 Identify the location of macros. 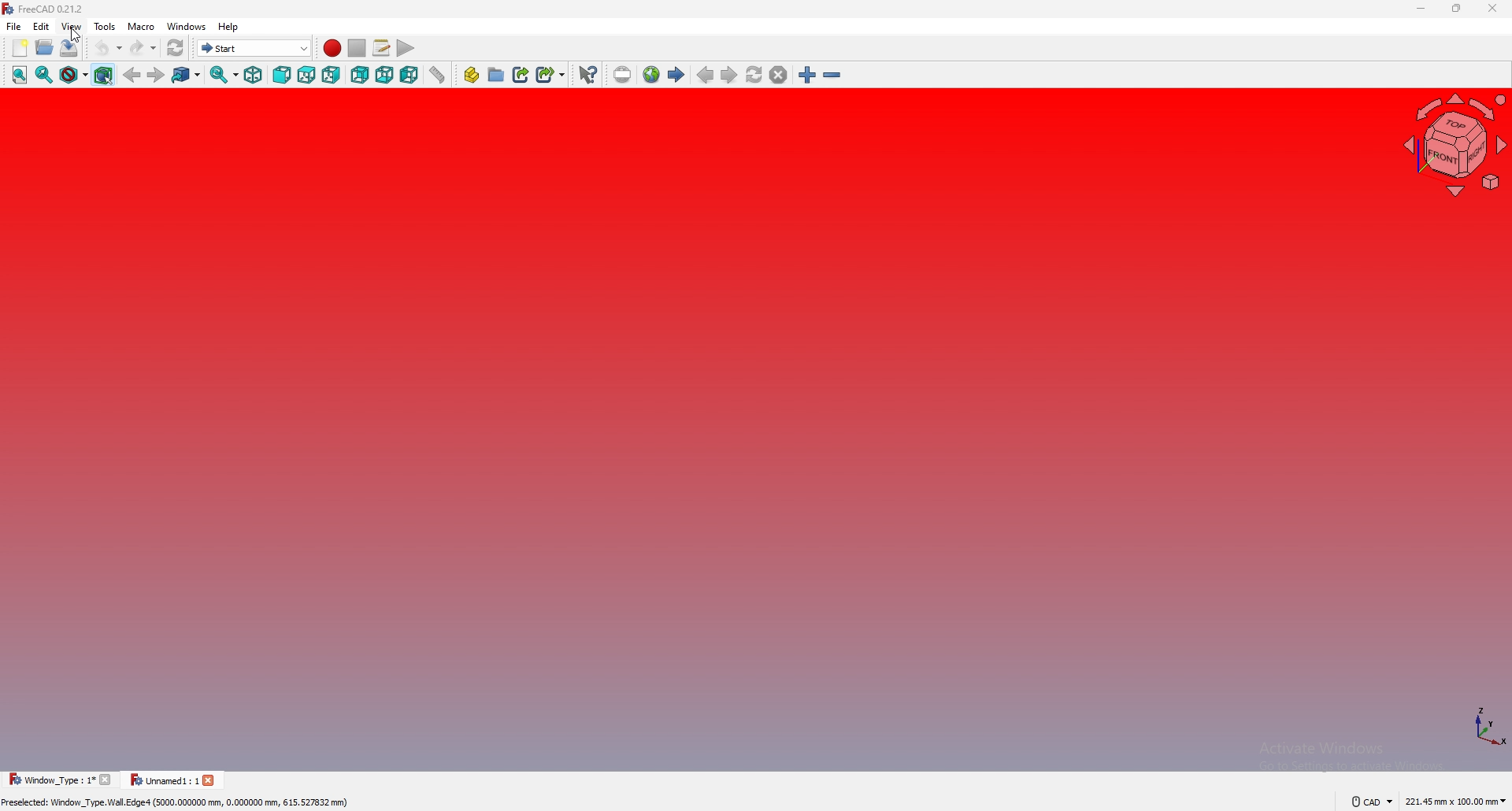
(382, 48).